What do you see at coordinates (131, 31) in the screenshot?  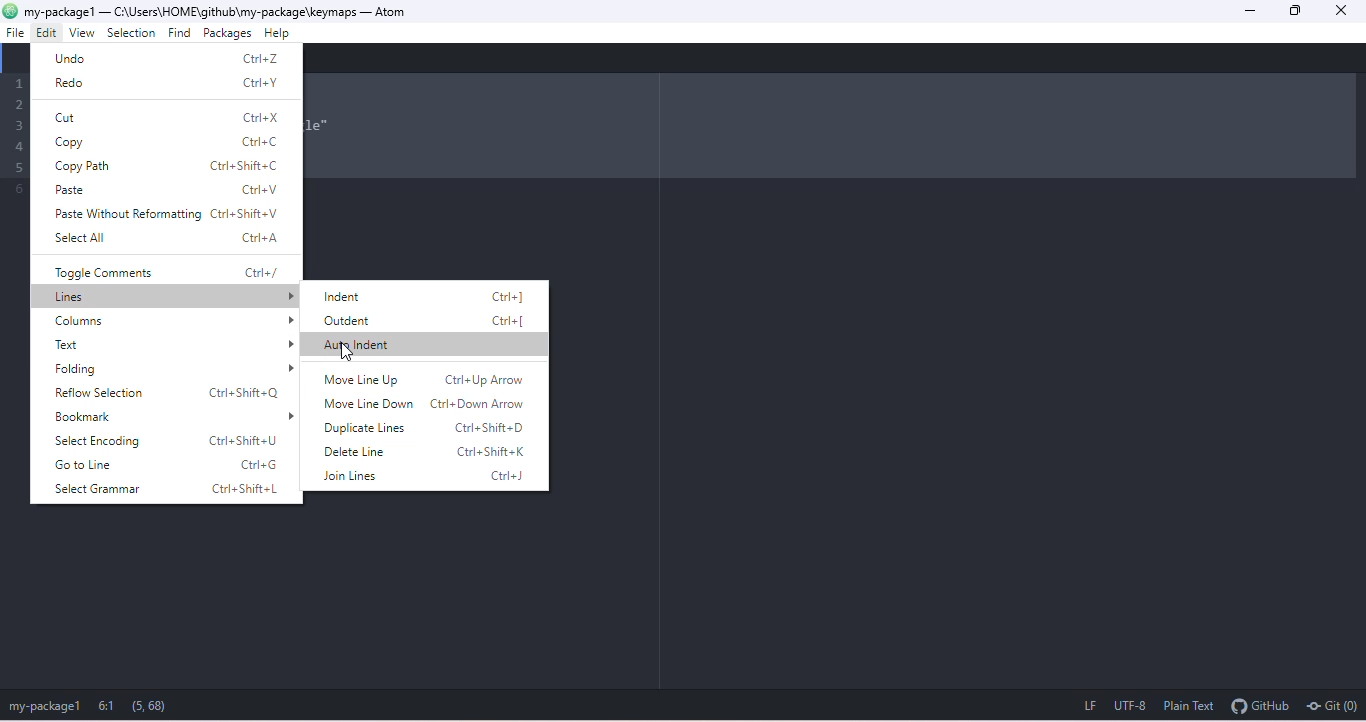 I see `selection` at bounding box center [131, 31].